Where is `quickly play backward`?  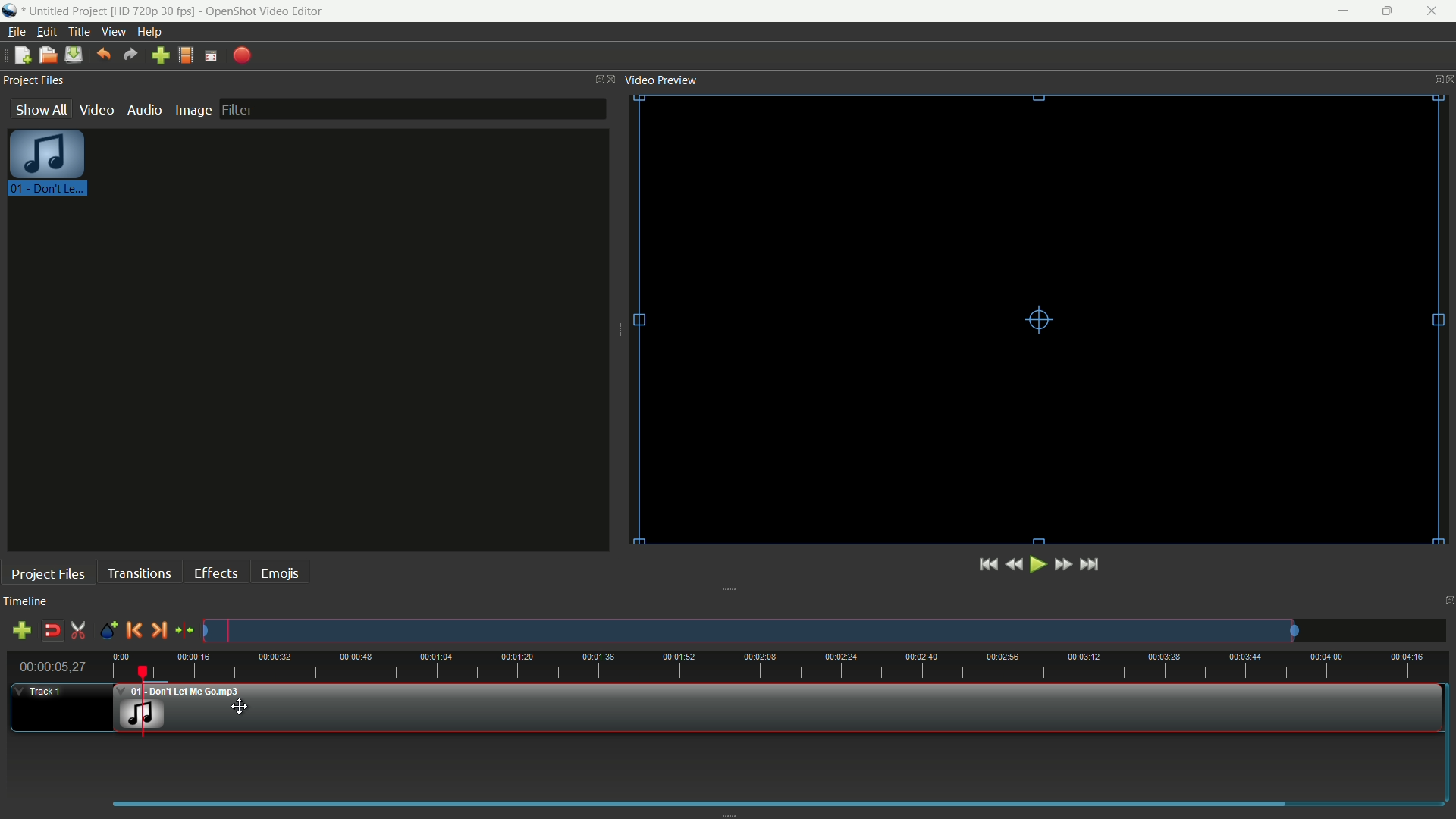 quickly play backward is located at coordinates (1016, 564).